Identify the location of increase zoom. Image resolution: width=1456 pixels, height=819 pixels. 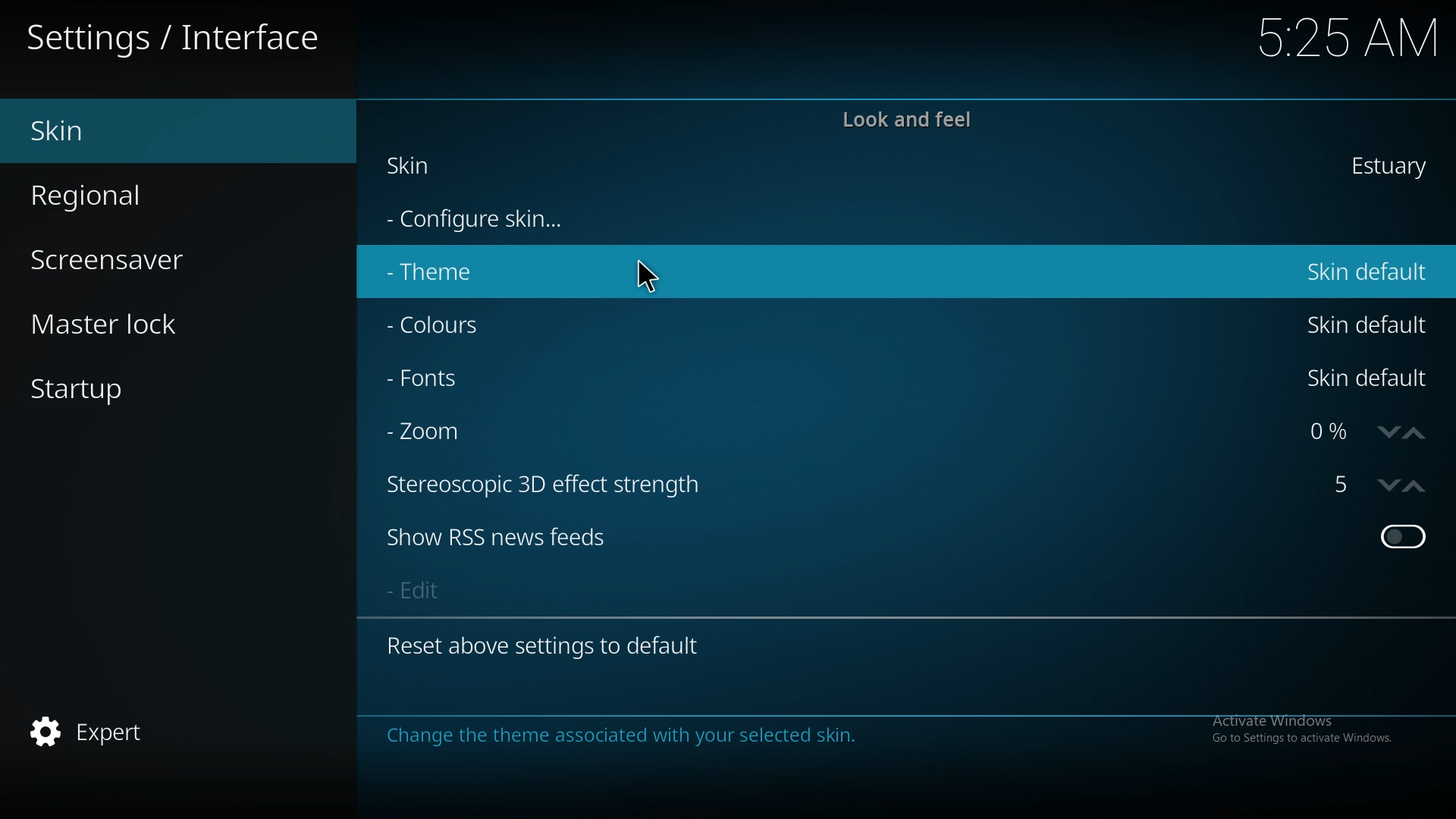
(1415, 431).